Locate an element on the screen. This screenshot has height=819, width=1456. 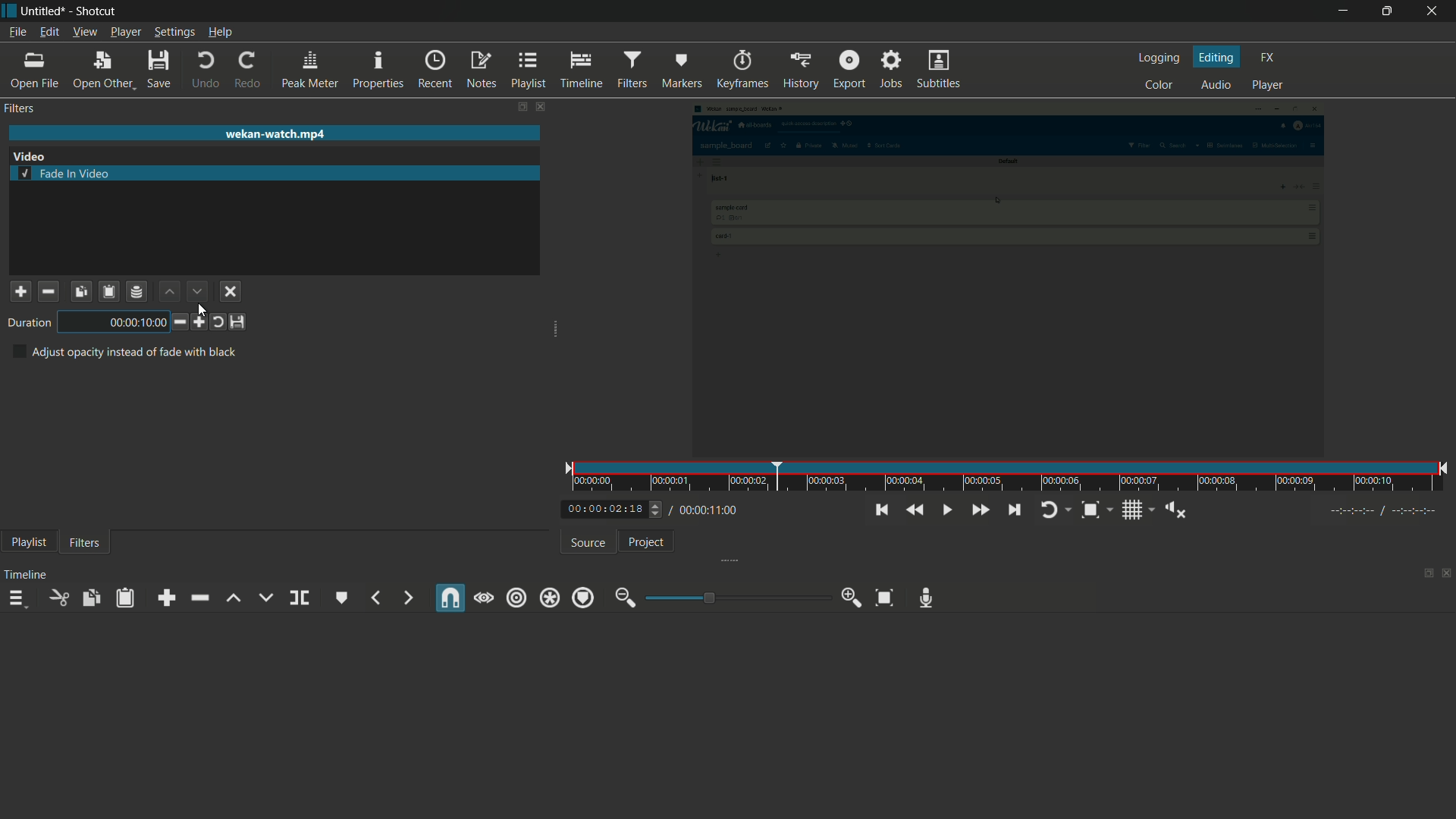
undo is located at coordinates (206, 71).